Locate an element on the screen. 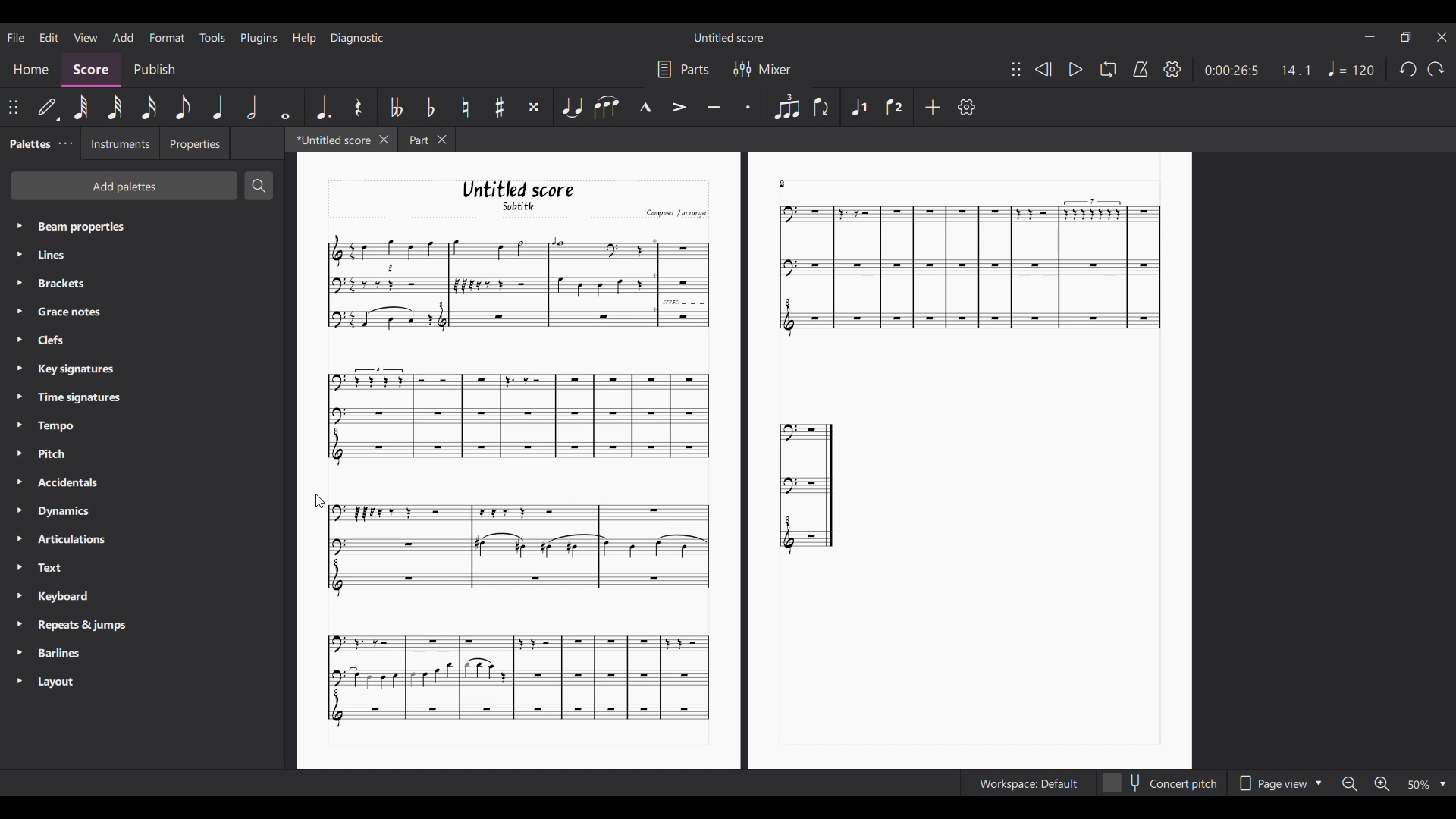 This screenshot has width=1456, height=819. » Lines is located at coordinates (66, 256).